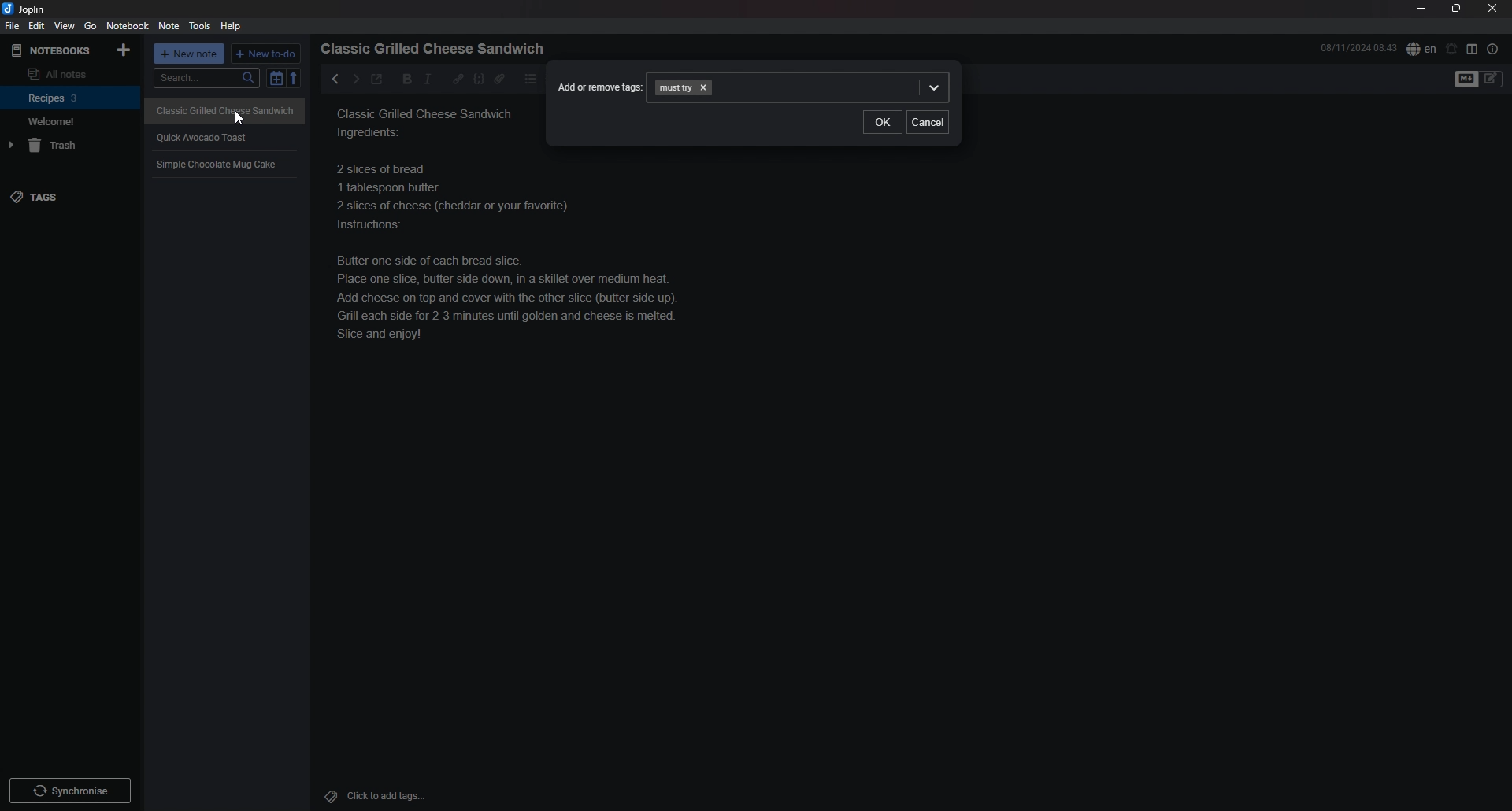  What do you see at coordinates (206, 78) in the screenshot?
I see `search` at bounding box center [206, 78].